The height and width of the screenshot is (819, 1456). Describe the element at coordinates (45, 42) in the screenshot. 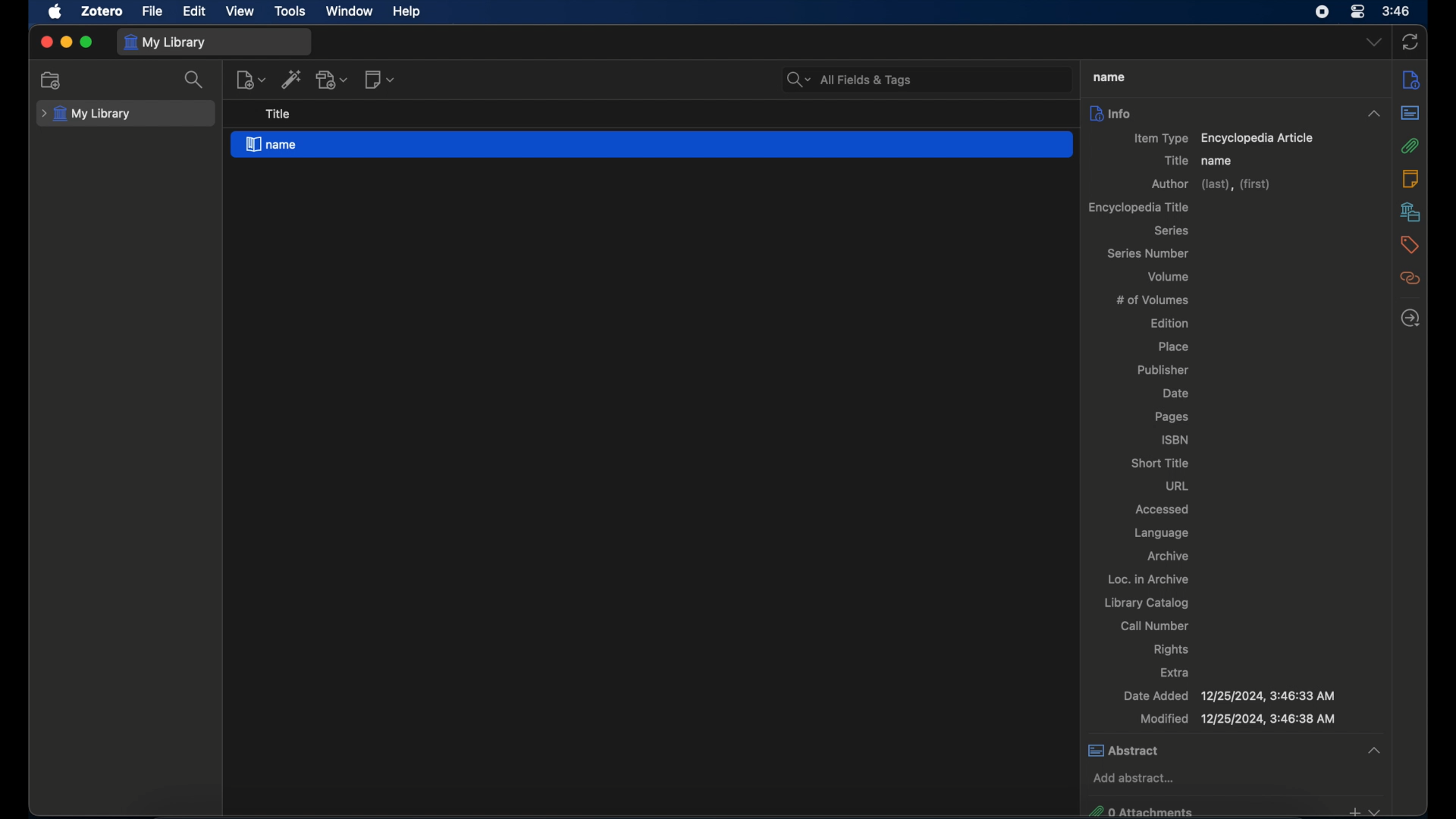

I see `close` at that location.